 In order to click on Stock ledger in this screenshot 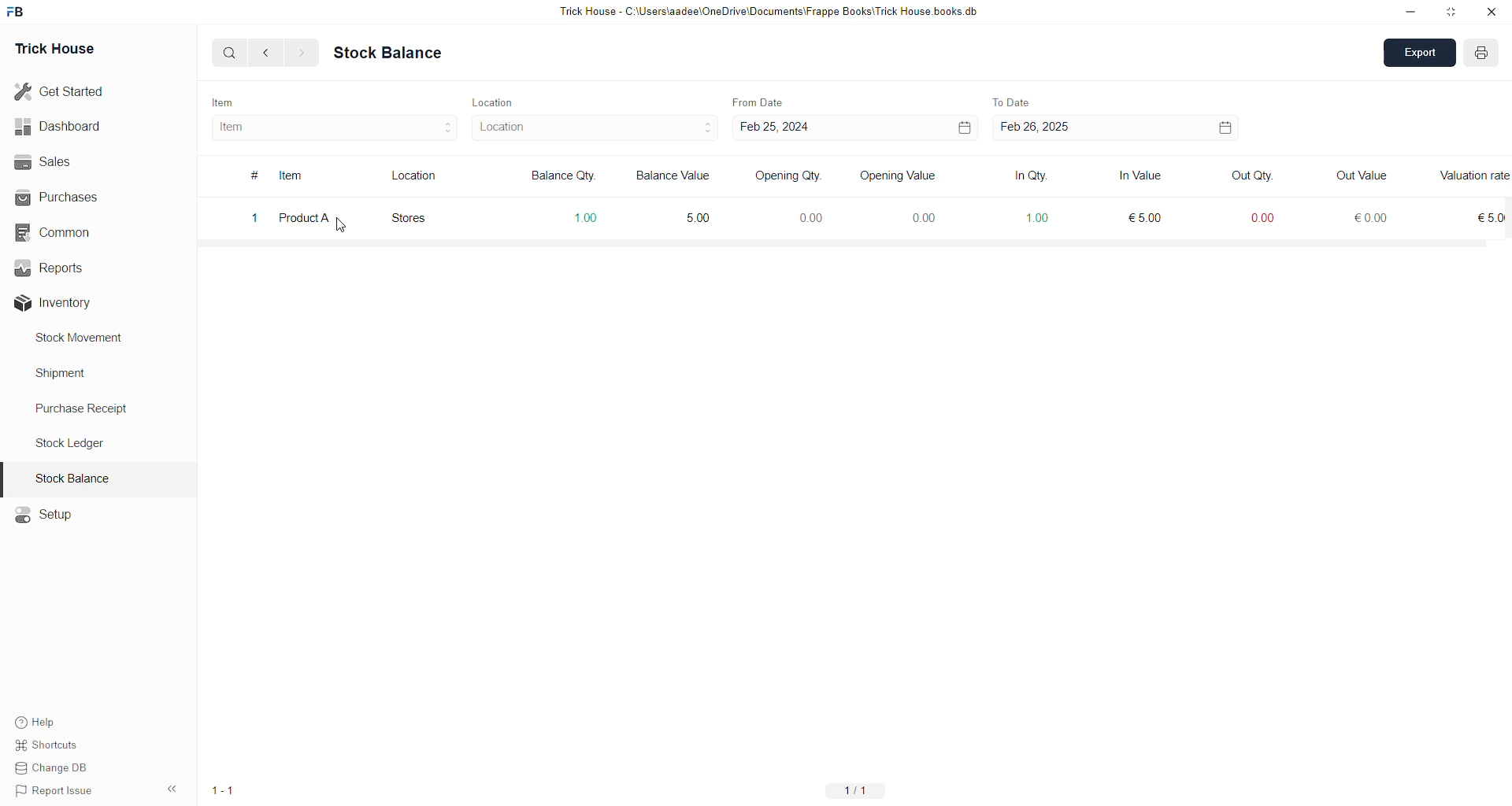, I will do `click(76, 445)`.